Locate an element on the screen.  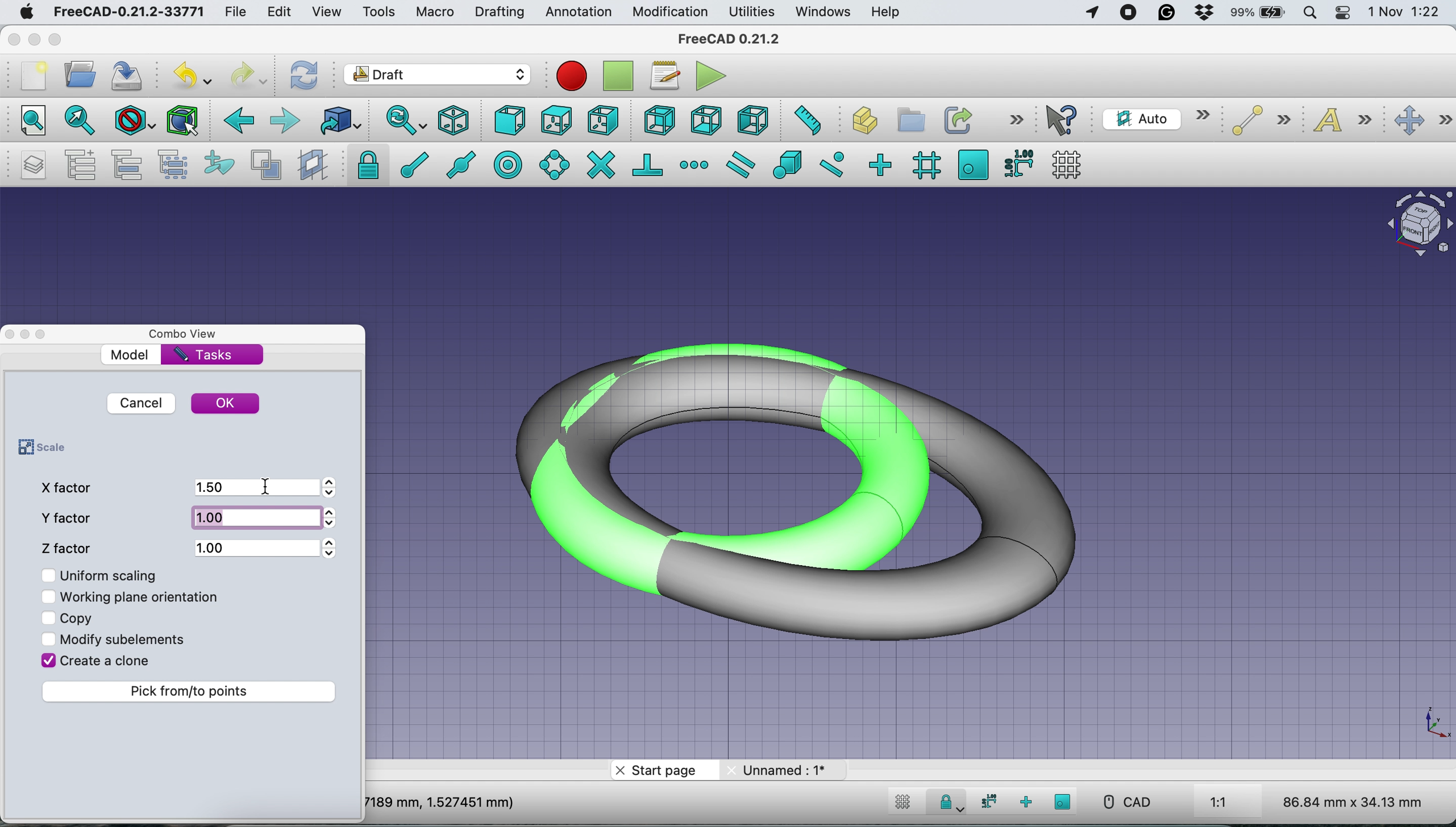
select group is located at coordinates (177, 165).